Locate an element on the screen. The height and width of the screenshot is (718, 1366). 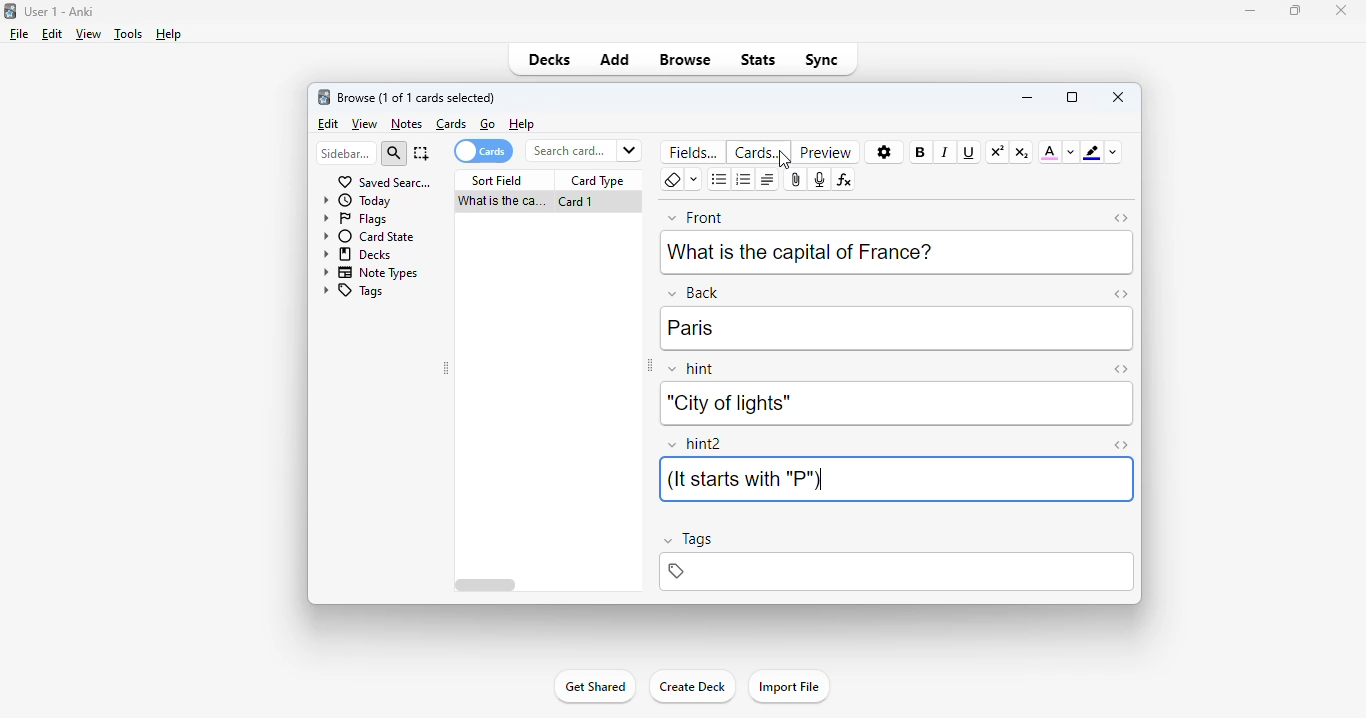
cards is located at coordinates (758, 152).